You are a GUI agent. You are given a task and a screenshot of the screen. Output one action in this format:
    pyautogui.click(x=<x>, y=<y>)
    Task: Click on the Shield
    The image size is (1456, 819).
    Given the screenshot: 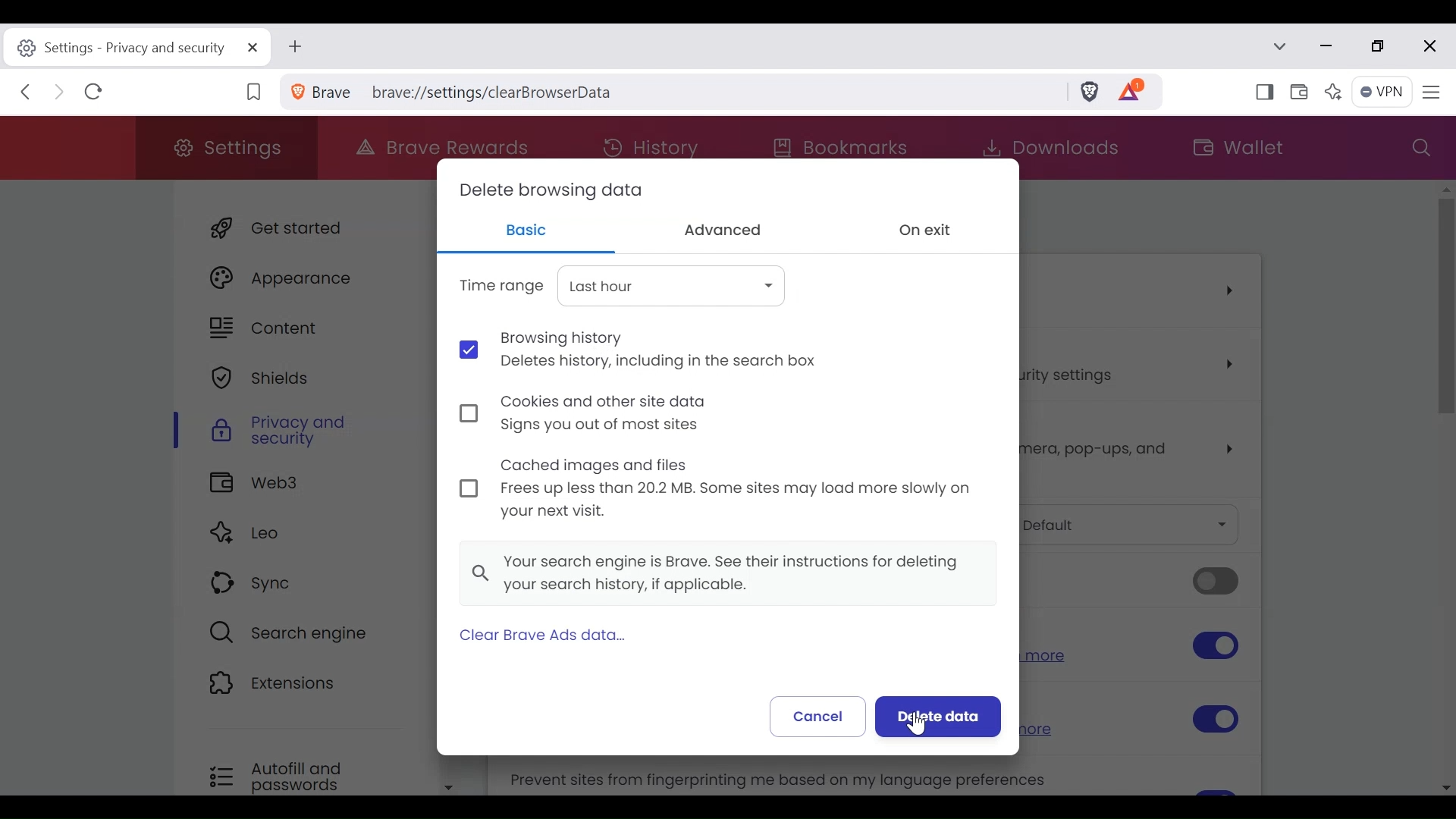 What is the action you would take?
    pyautogui.click(x=303, y=379)
    